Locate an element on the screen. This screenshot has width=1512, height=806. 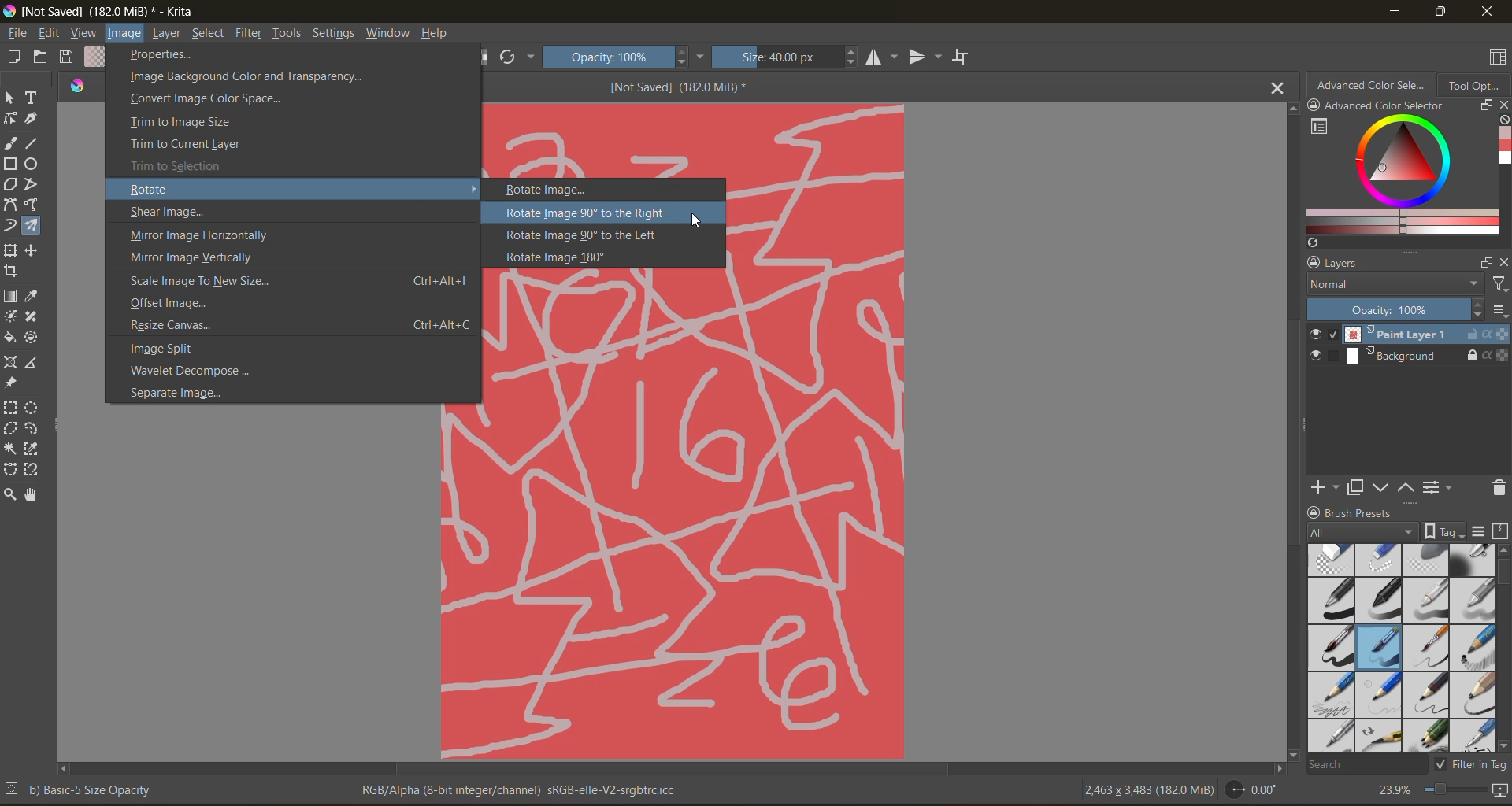
offset image is located at coordinates (184, 304).